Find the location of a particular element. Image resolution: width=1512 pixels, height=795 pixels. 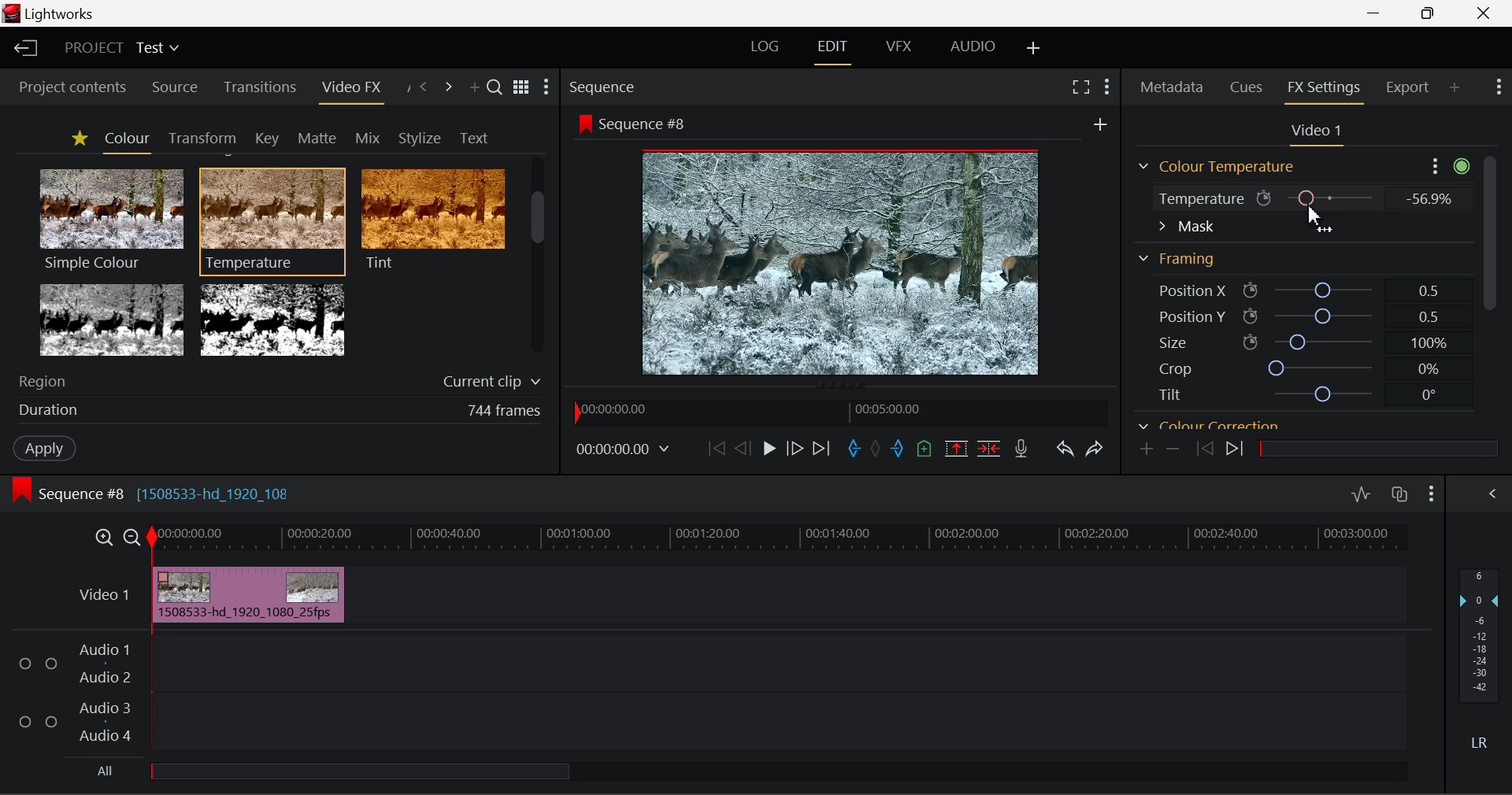

Audio 1 is located at coordinates (102, 651).